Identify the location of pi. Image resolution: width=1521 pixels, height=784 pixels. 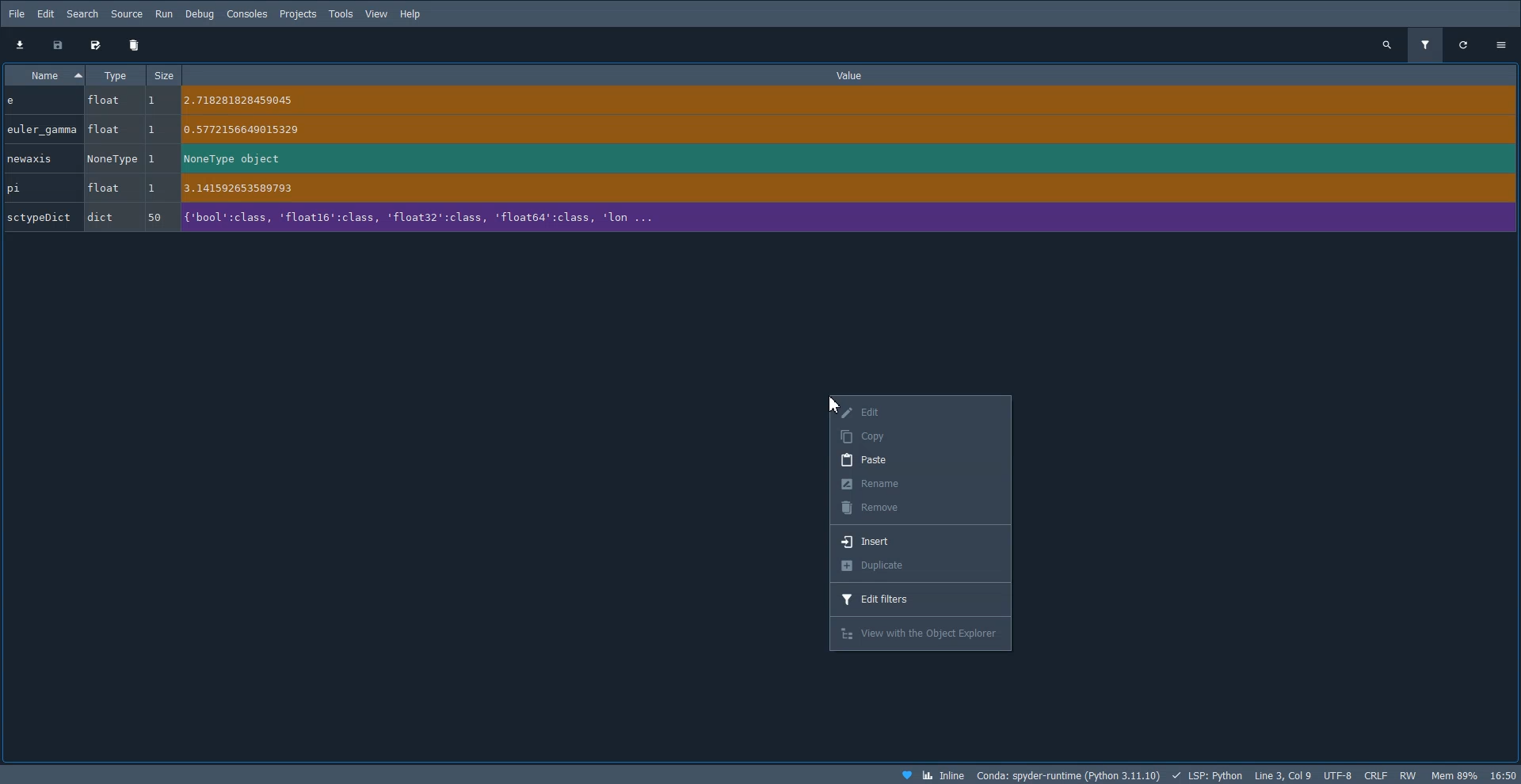
(19, 188).